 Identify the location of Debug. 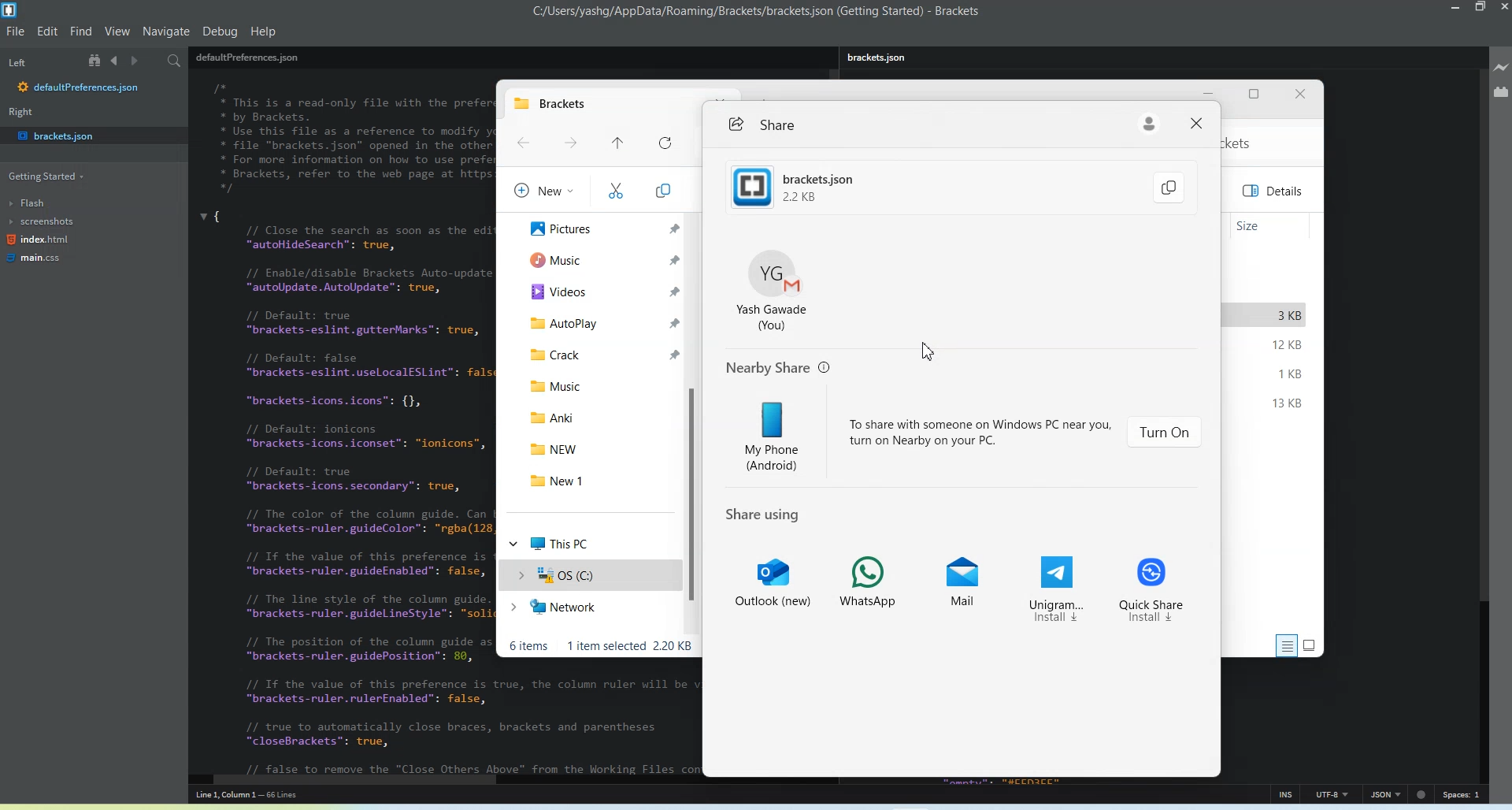
(220, 30).